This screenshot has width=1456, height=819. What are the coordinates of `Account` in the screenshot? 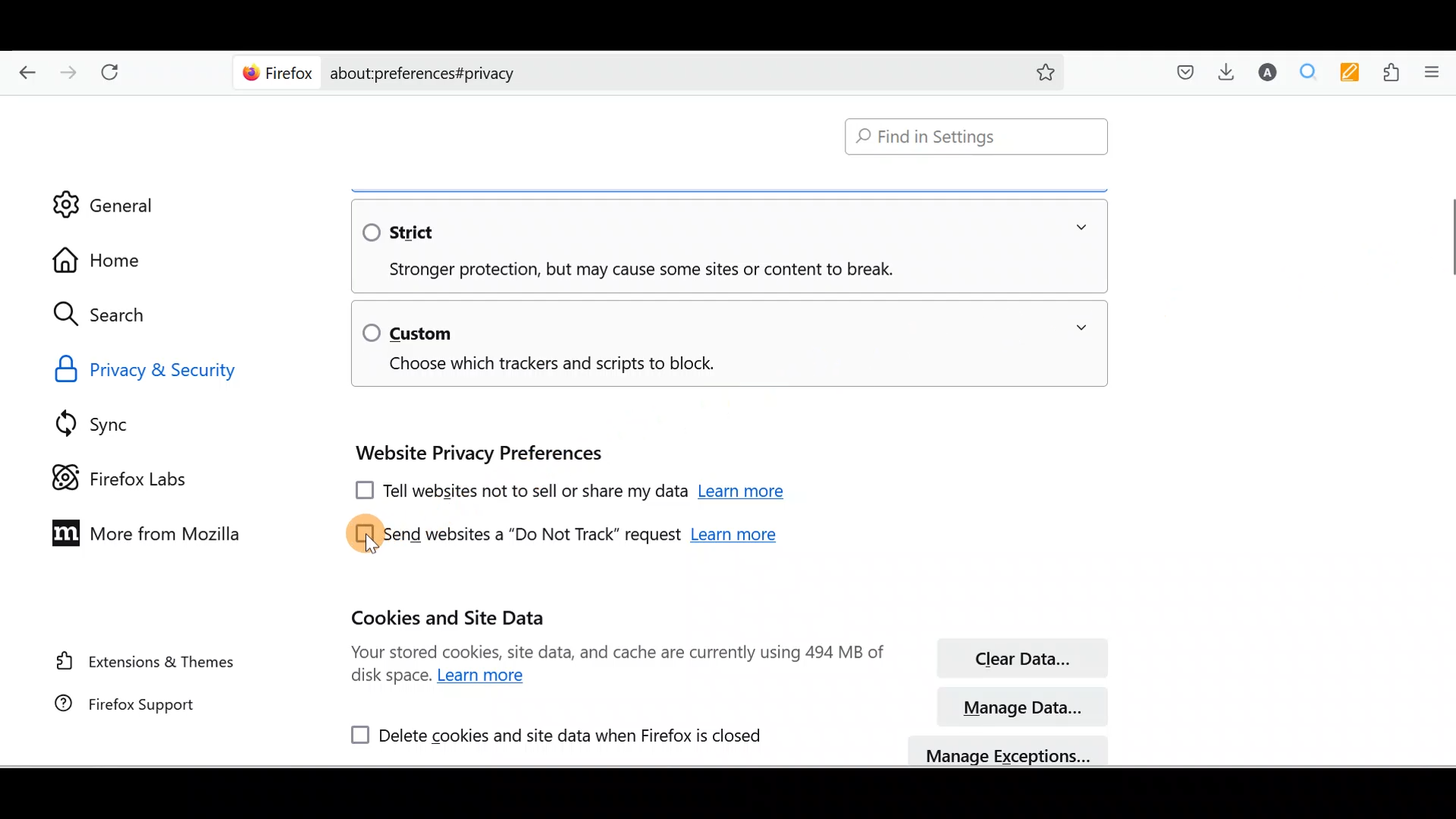 It's located at (1267, 70).